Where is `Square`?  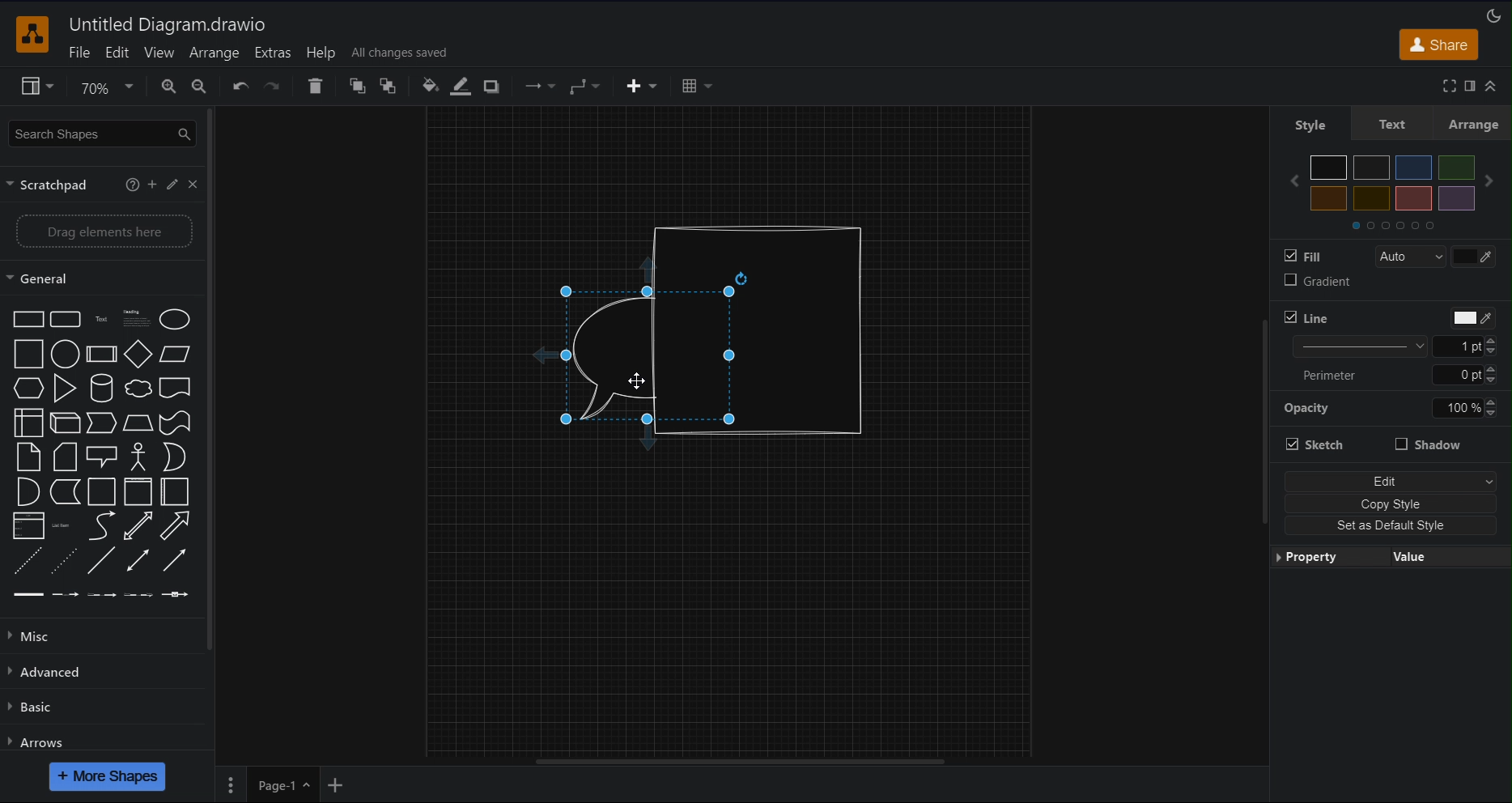 Square is located at coordinates (29, 355).